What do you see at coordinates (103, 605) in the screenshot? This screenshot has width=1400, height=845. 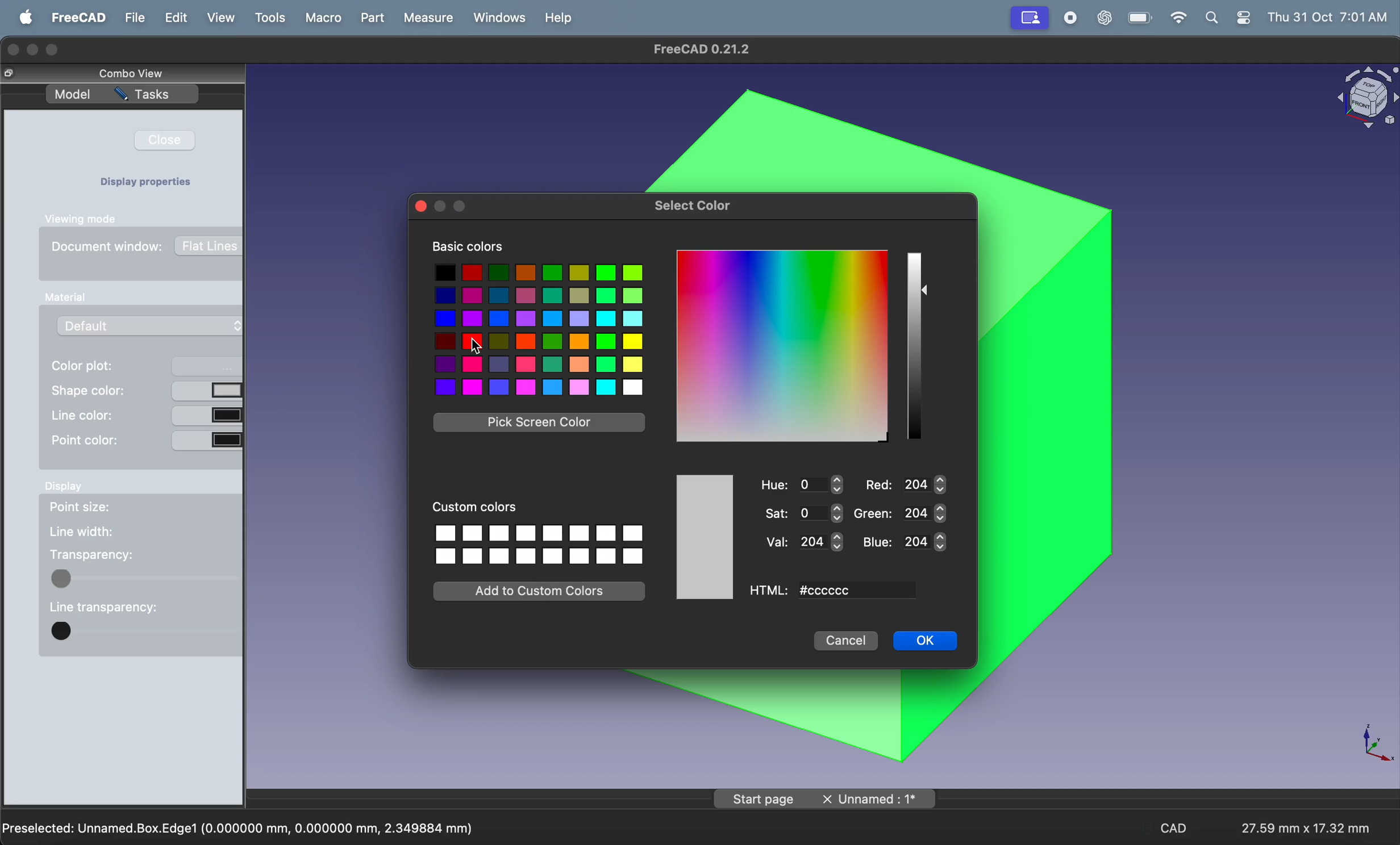 I see `line transparency` at bounding box center [103, 605].